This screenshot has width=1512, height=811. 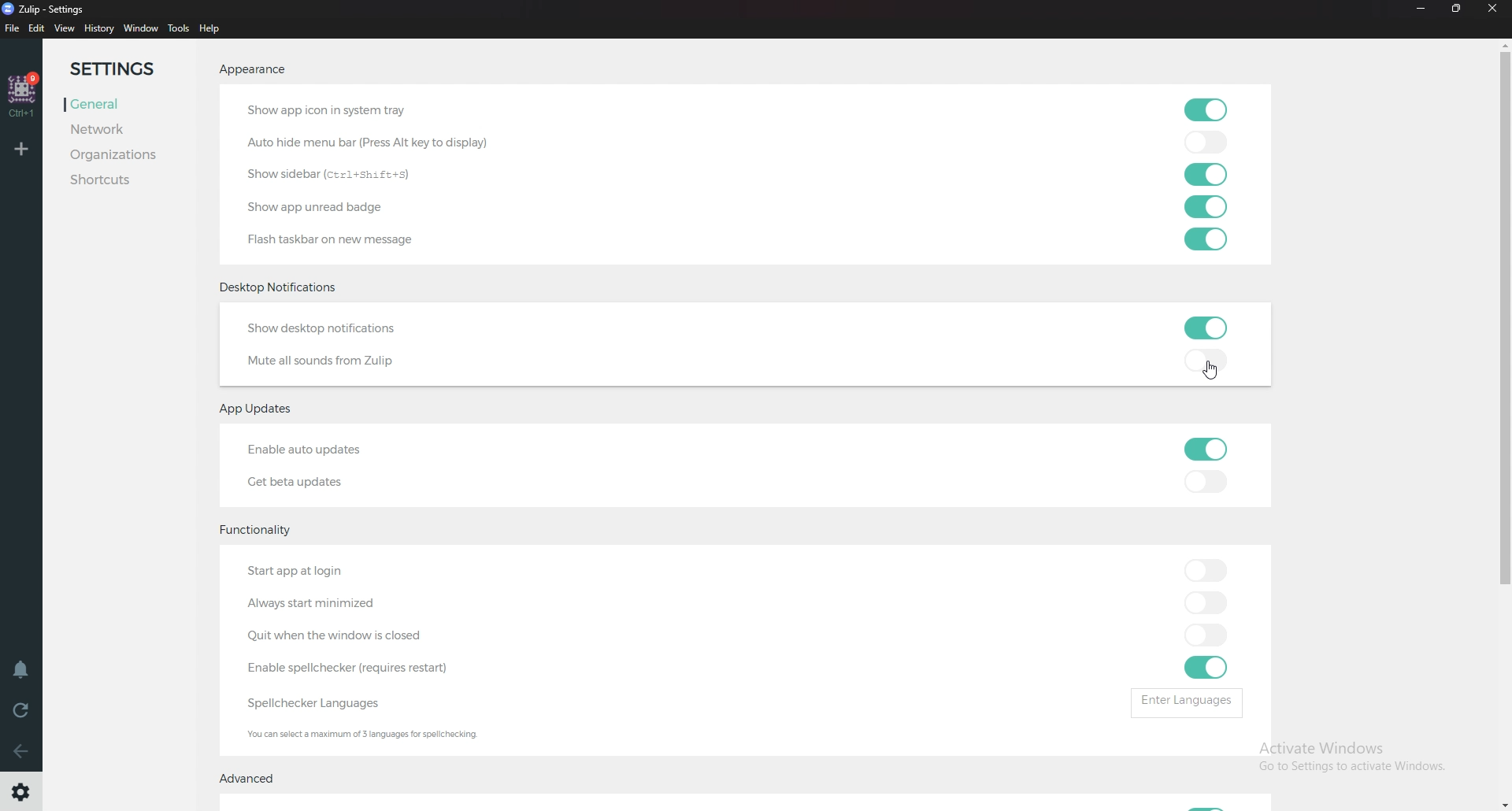 I want to click on toggle, so click(x=1206, y=602).